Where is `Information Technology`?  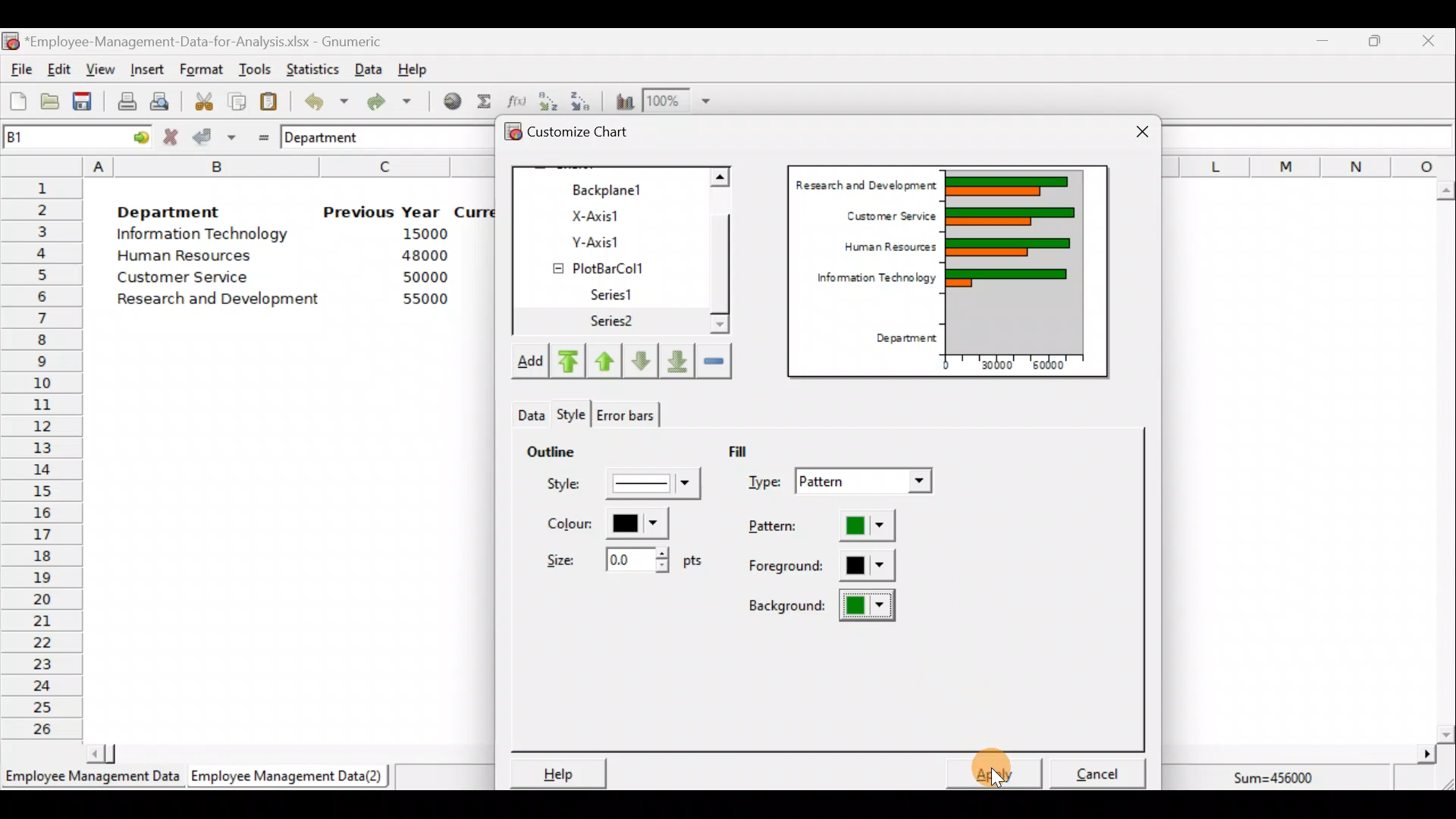 Information Technology is located at coordinates (205, 234).